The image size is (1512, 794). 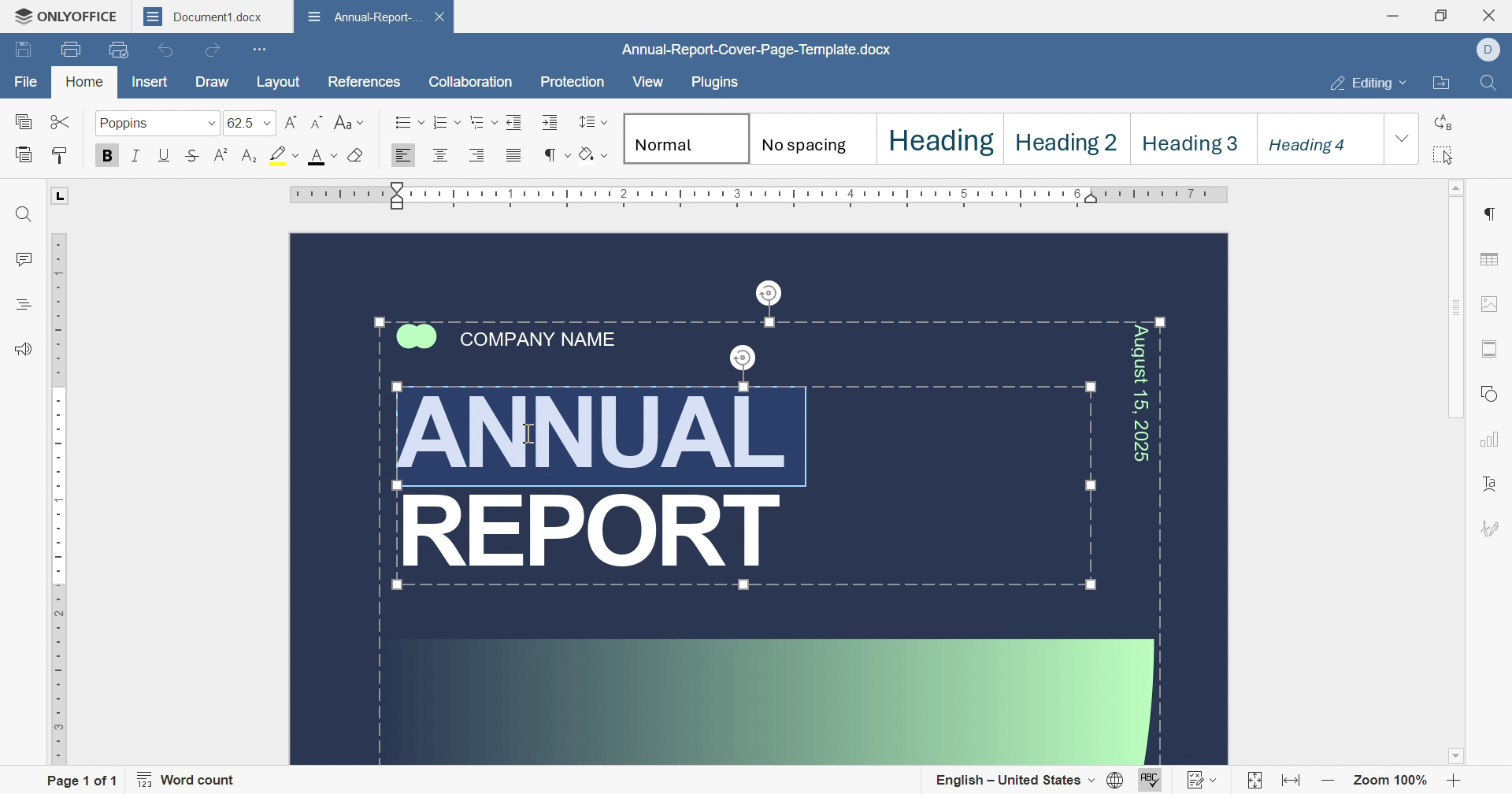 I want to click on zoom in, so click(x=1453, y=782).